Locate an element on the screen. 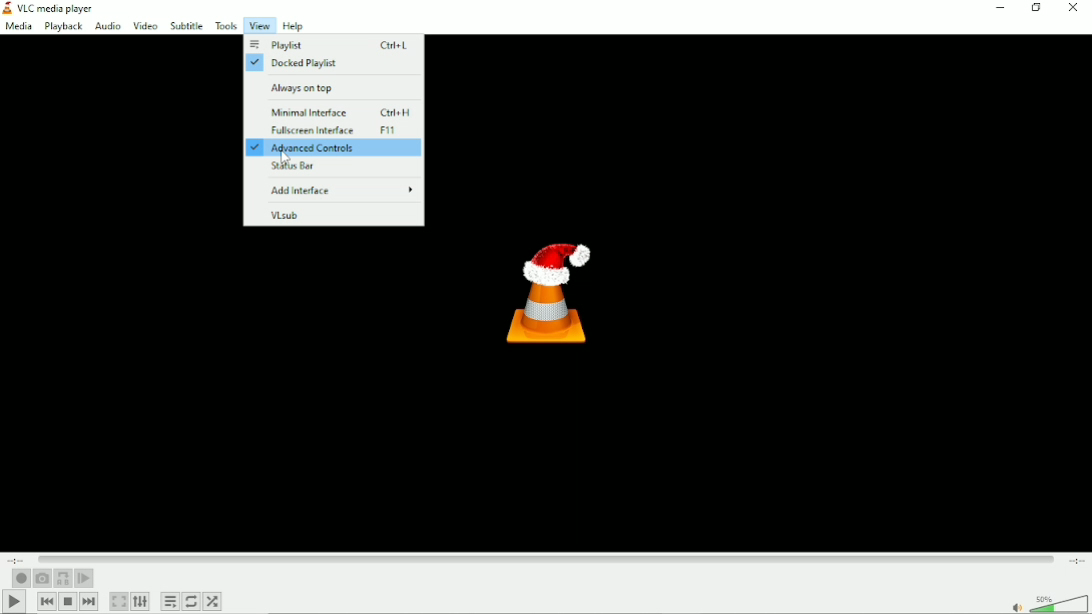 This screenshot has height=614, width=1092. Close is located at coordinates (1073, 8).